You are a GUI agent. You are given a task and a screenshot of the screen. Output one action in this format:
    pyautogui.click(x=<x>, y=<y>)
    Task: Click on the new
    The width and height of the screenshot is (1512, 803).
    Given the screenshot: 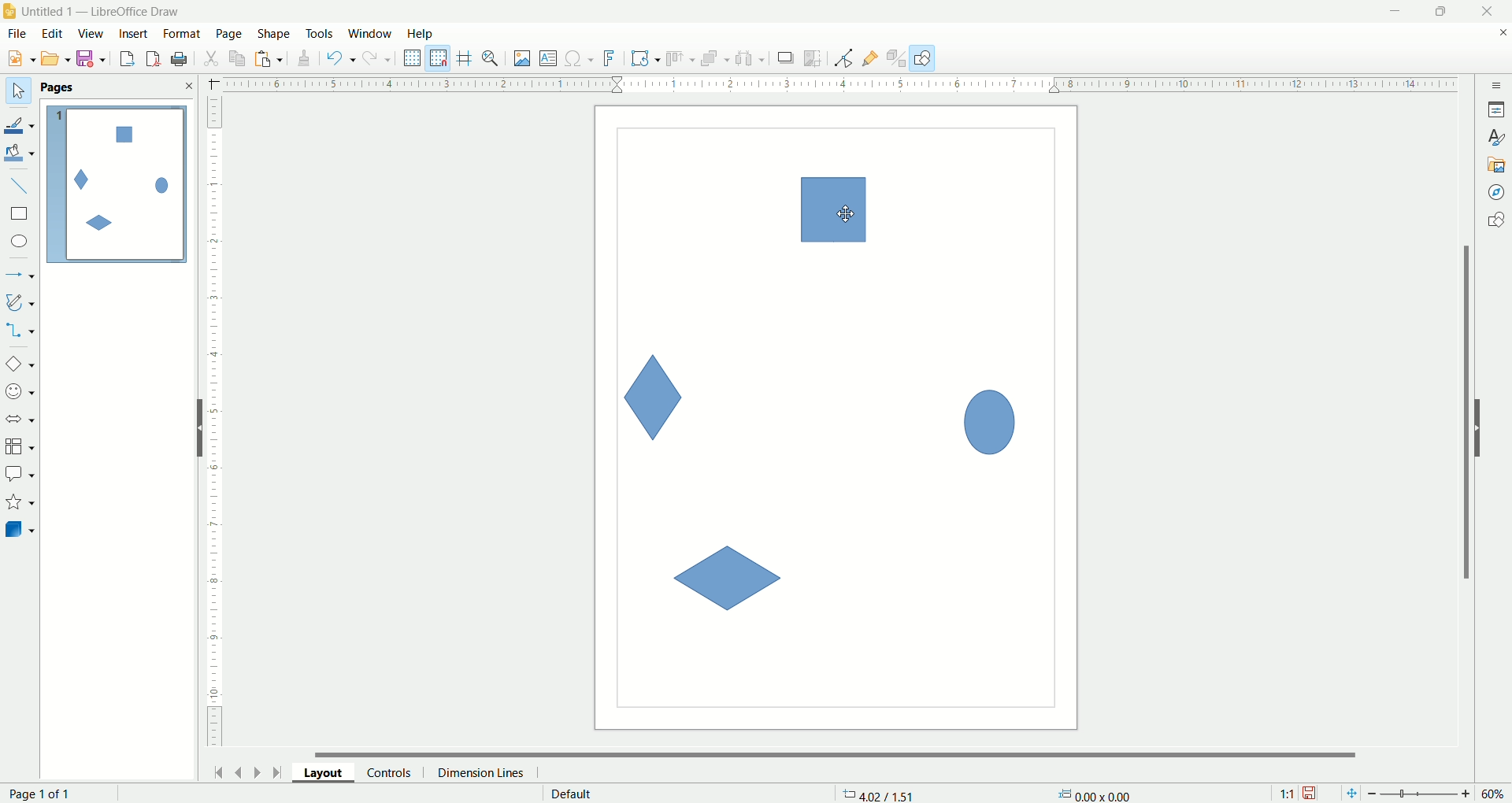 What is the action you would take?
    pyautogui.click(x=18, y=59)
    